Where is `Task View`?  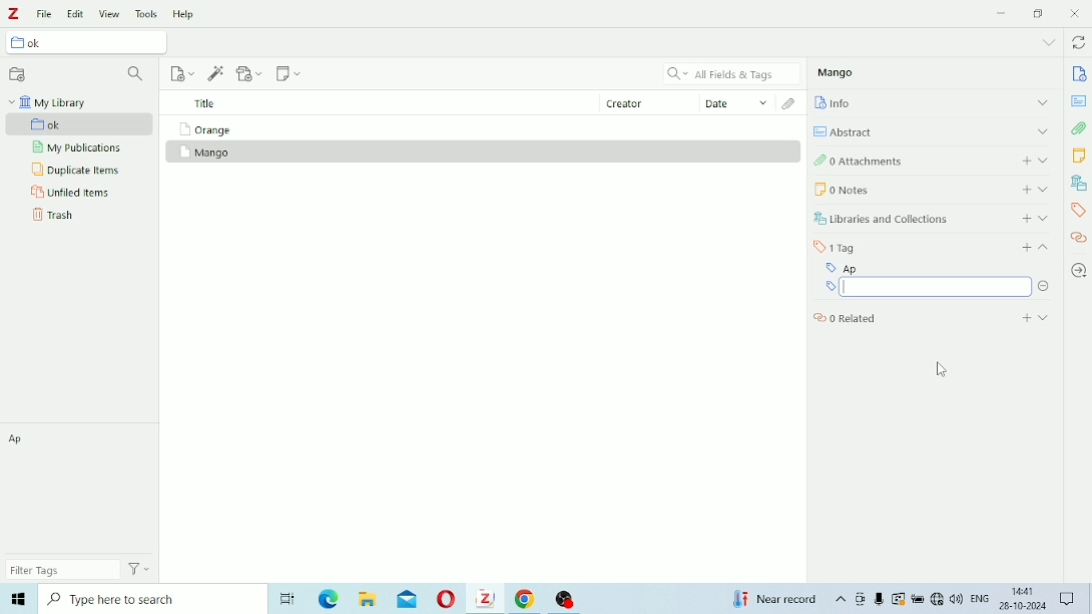 Task View is located at coordinates (290, 597).